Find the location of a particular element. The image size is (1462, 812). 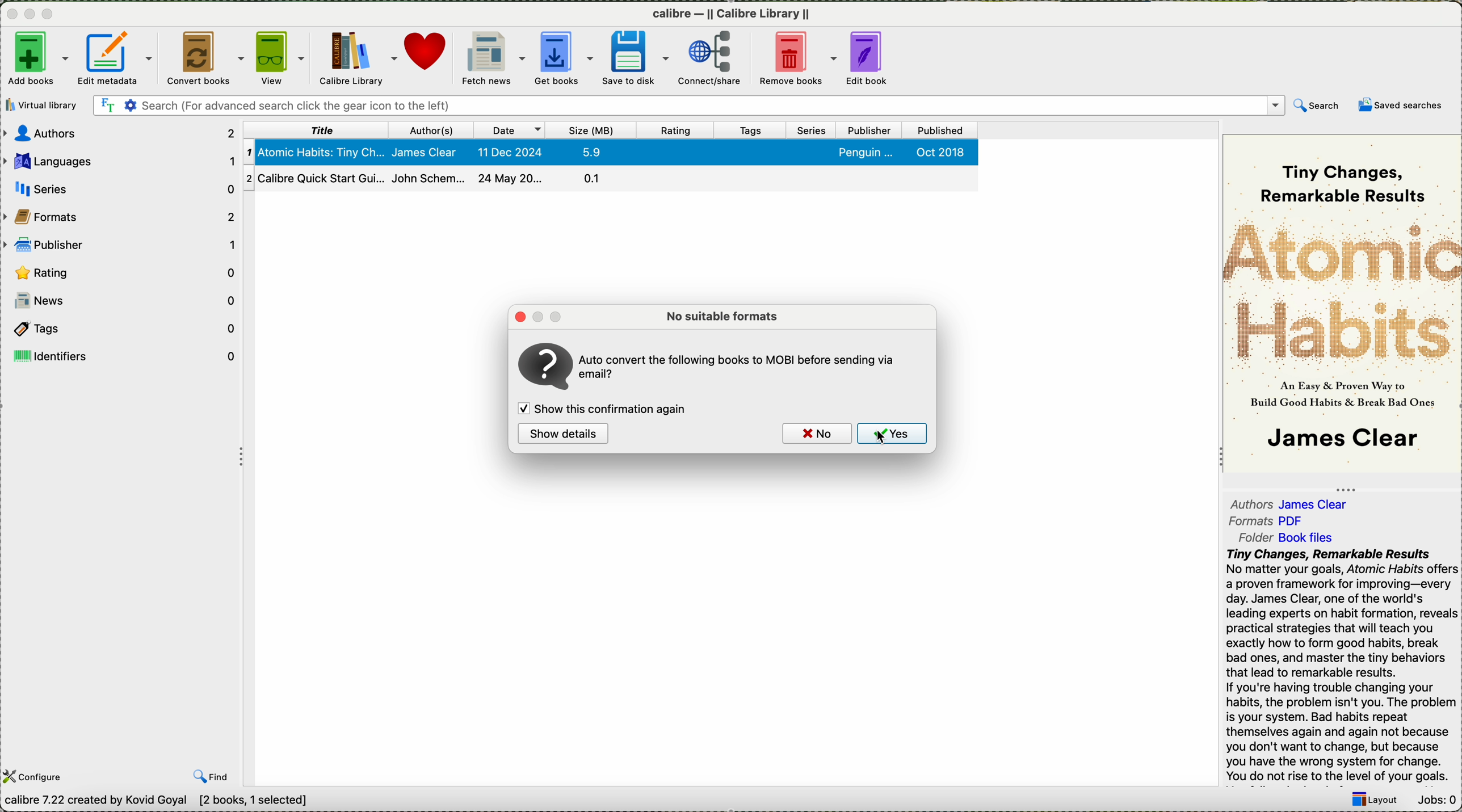

show details is located at coordinates (562, 433).